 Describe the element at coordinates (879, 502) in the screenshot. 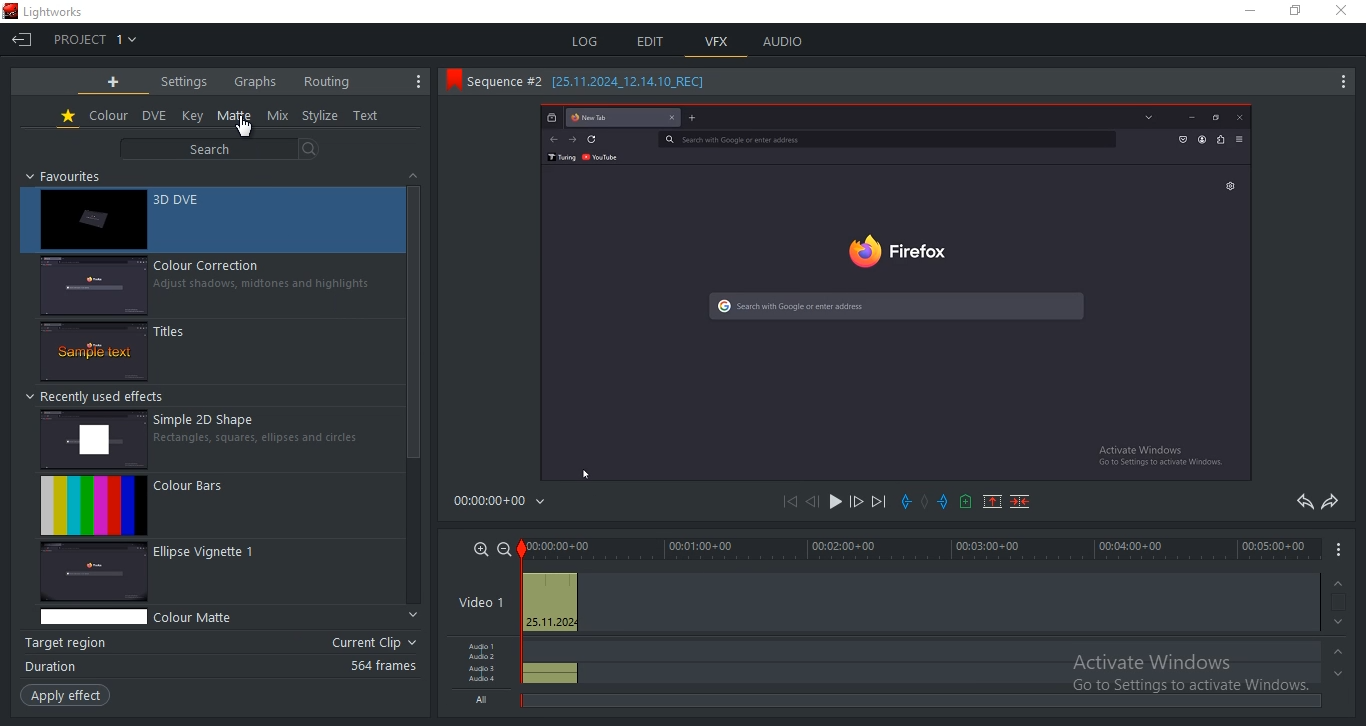

I see `next` at that location.